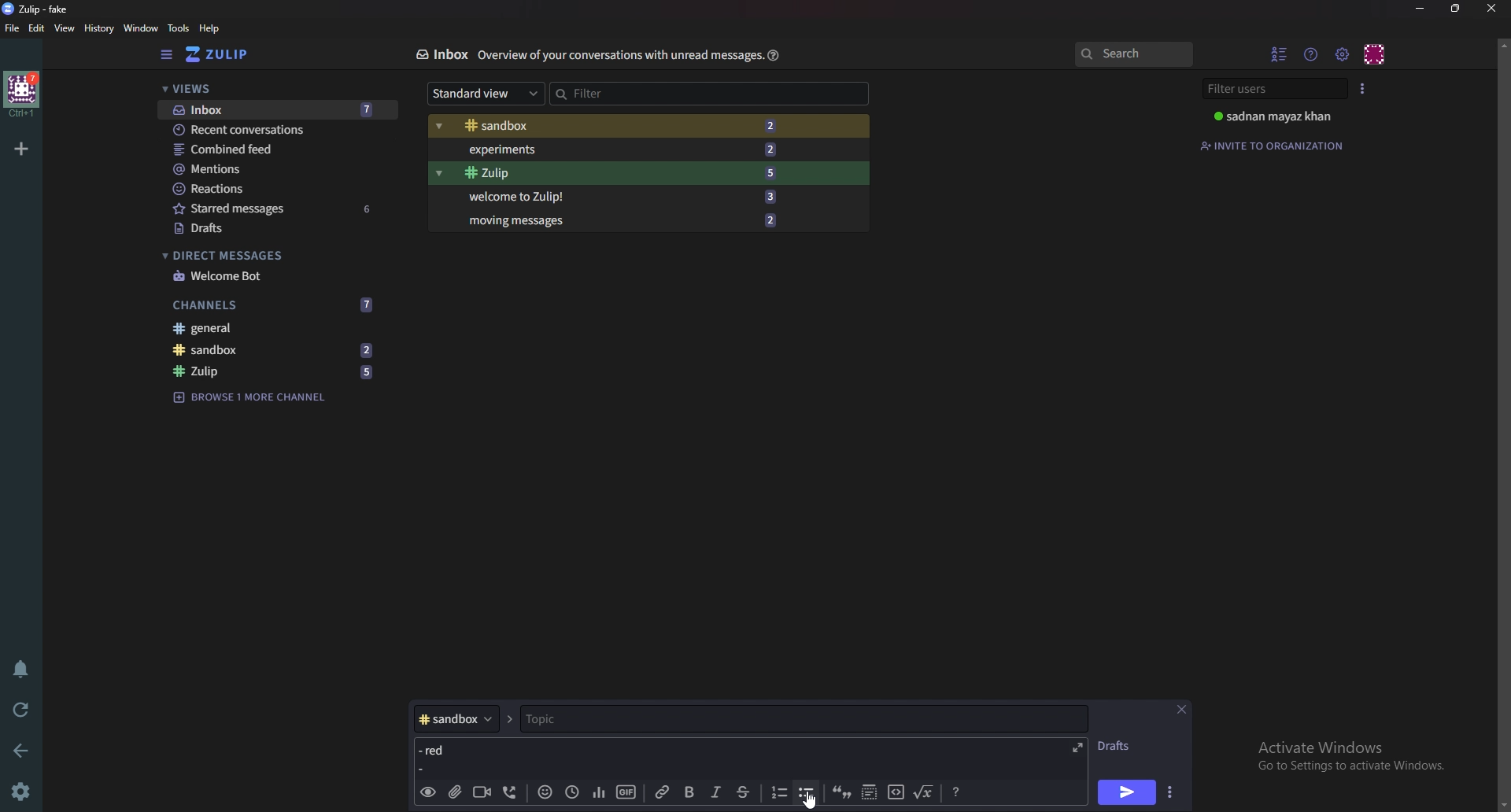 This screenshot has width=1511, height=812. I want to click on File, so click(13, 28).